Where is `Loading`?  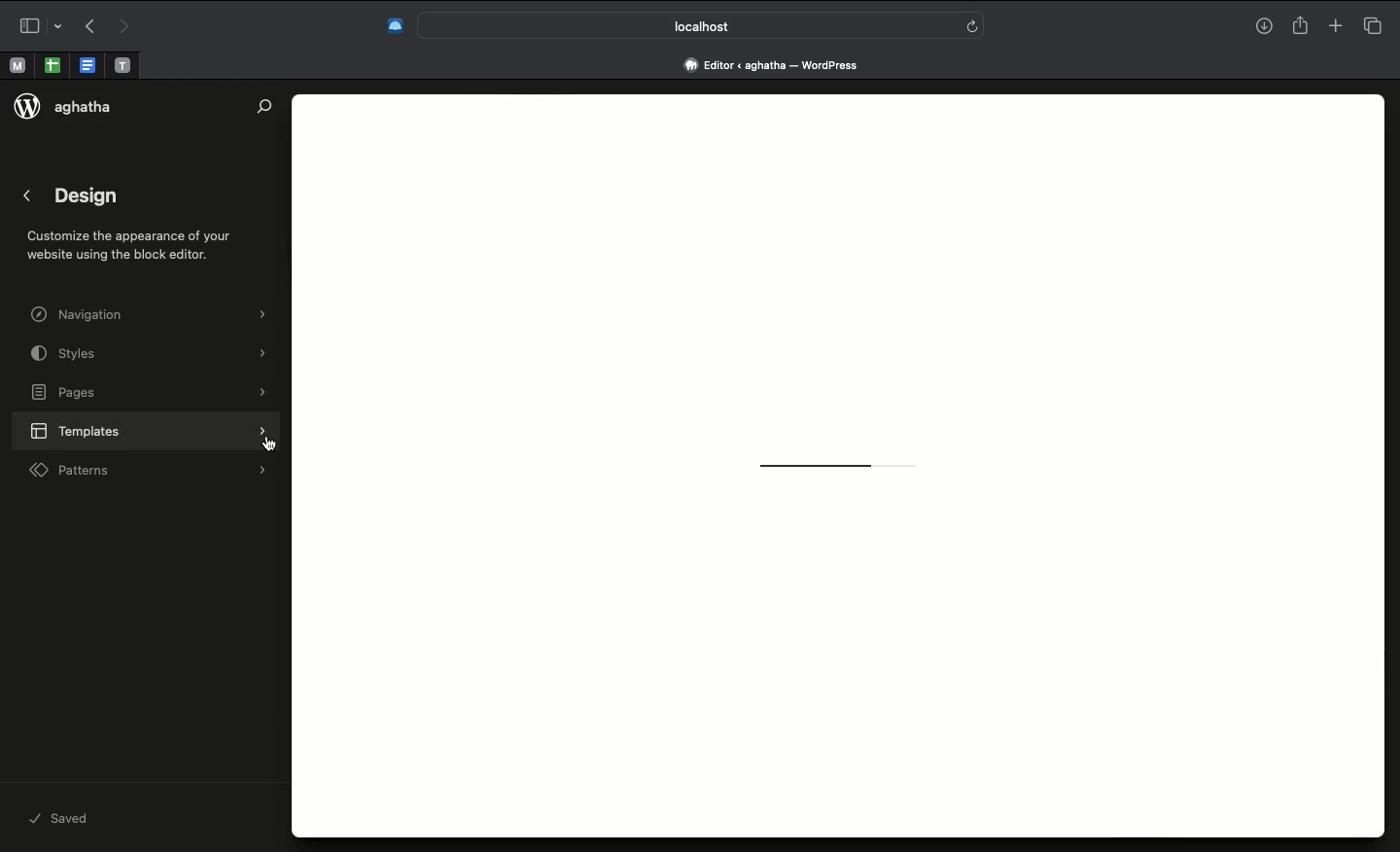
Loading is located at coordinates (822, 466).